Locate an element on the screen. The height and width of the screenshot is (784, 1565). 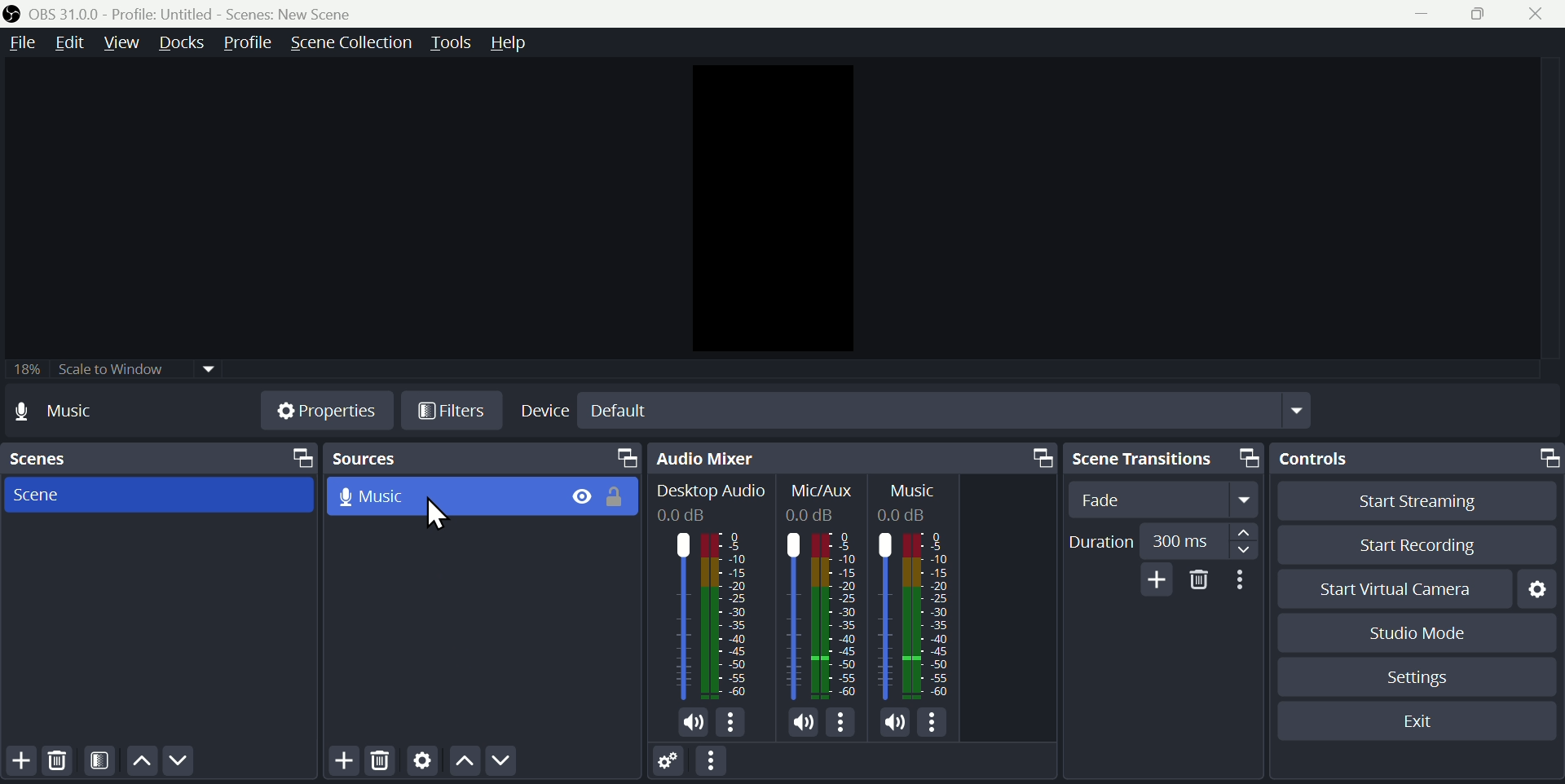
OBS 31.0 .0 profile: untitled= scenes: new scene is located at coordinates (184, 12).